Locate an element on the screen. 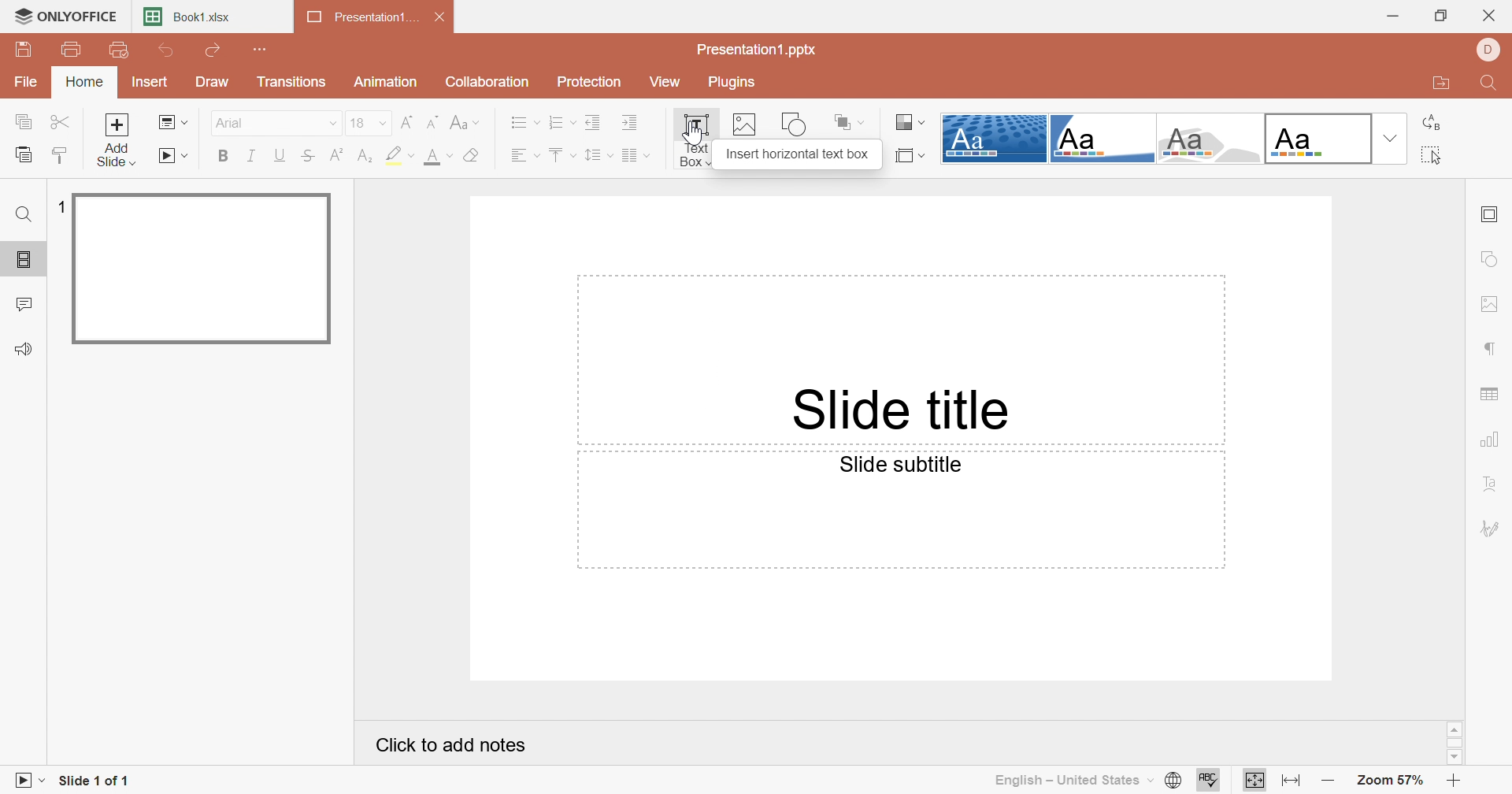  Line spacing is located at coordinates (596, 155).